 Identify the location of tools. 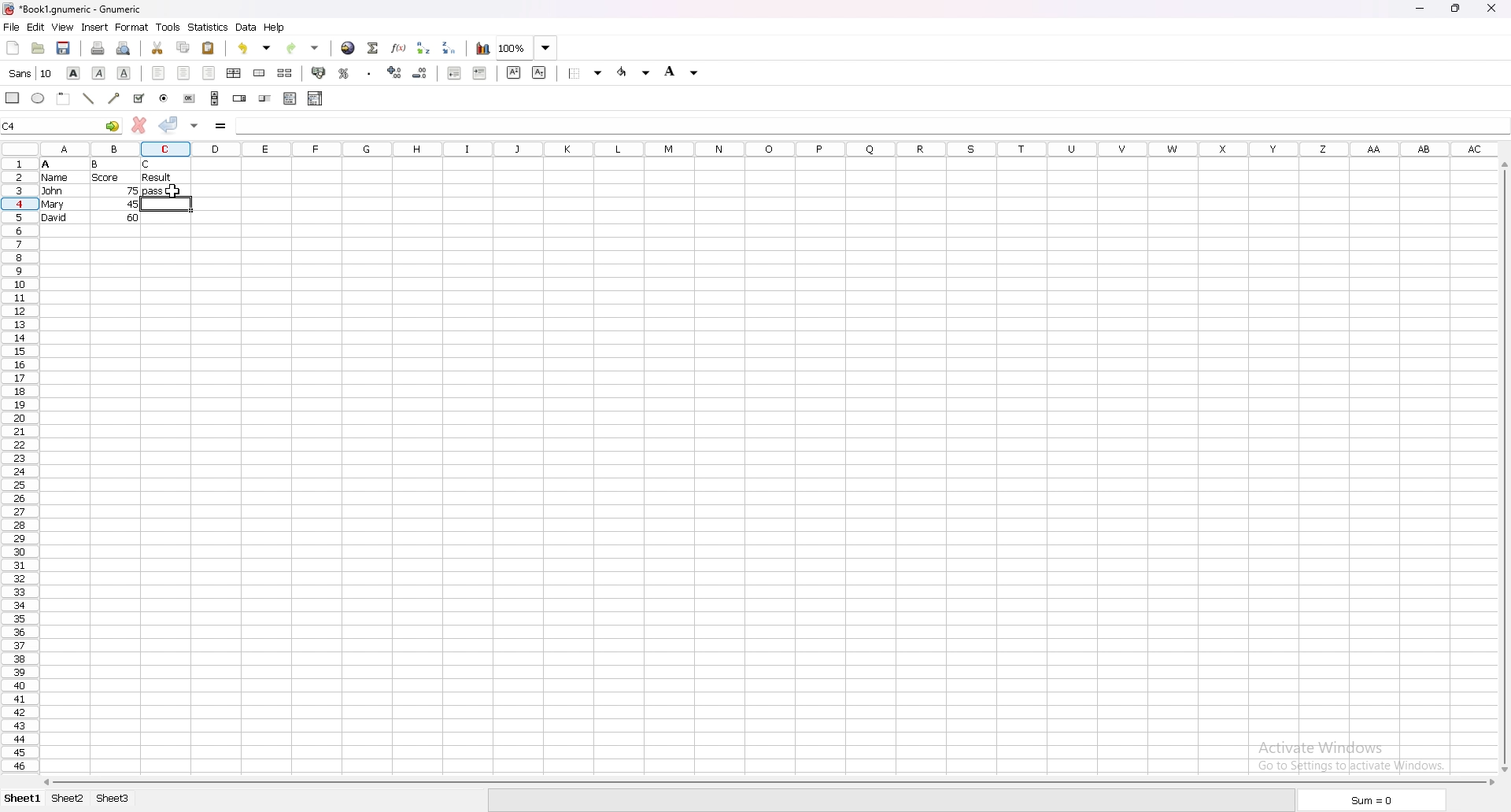
(168, 28).